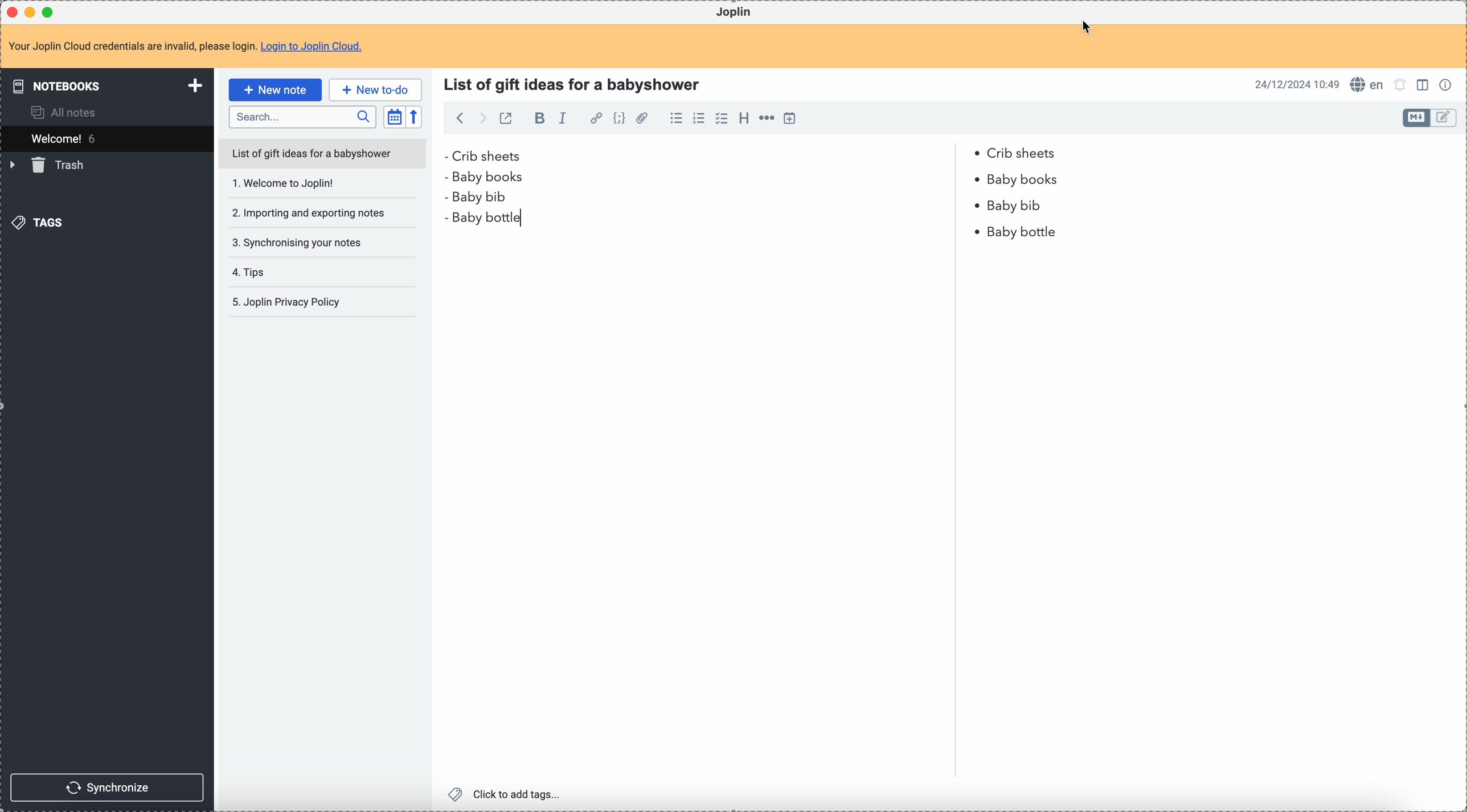  Describe the element at coordinates (722, 119) in the screenshot. I see `checklist` at that location.